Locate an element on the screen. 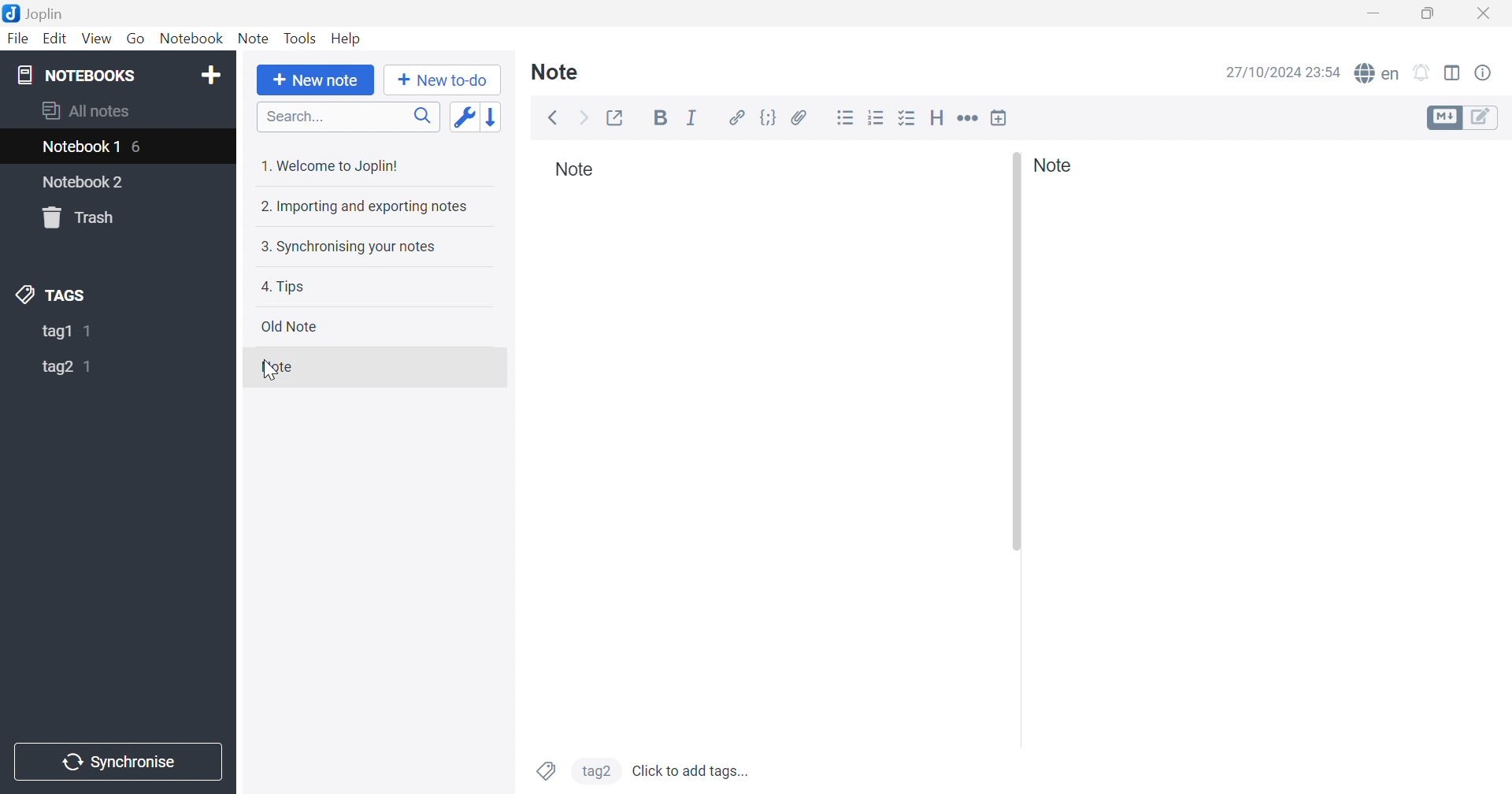 The image size is (1512, 794). Bulleted list is located at coordinates (847, 119).